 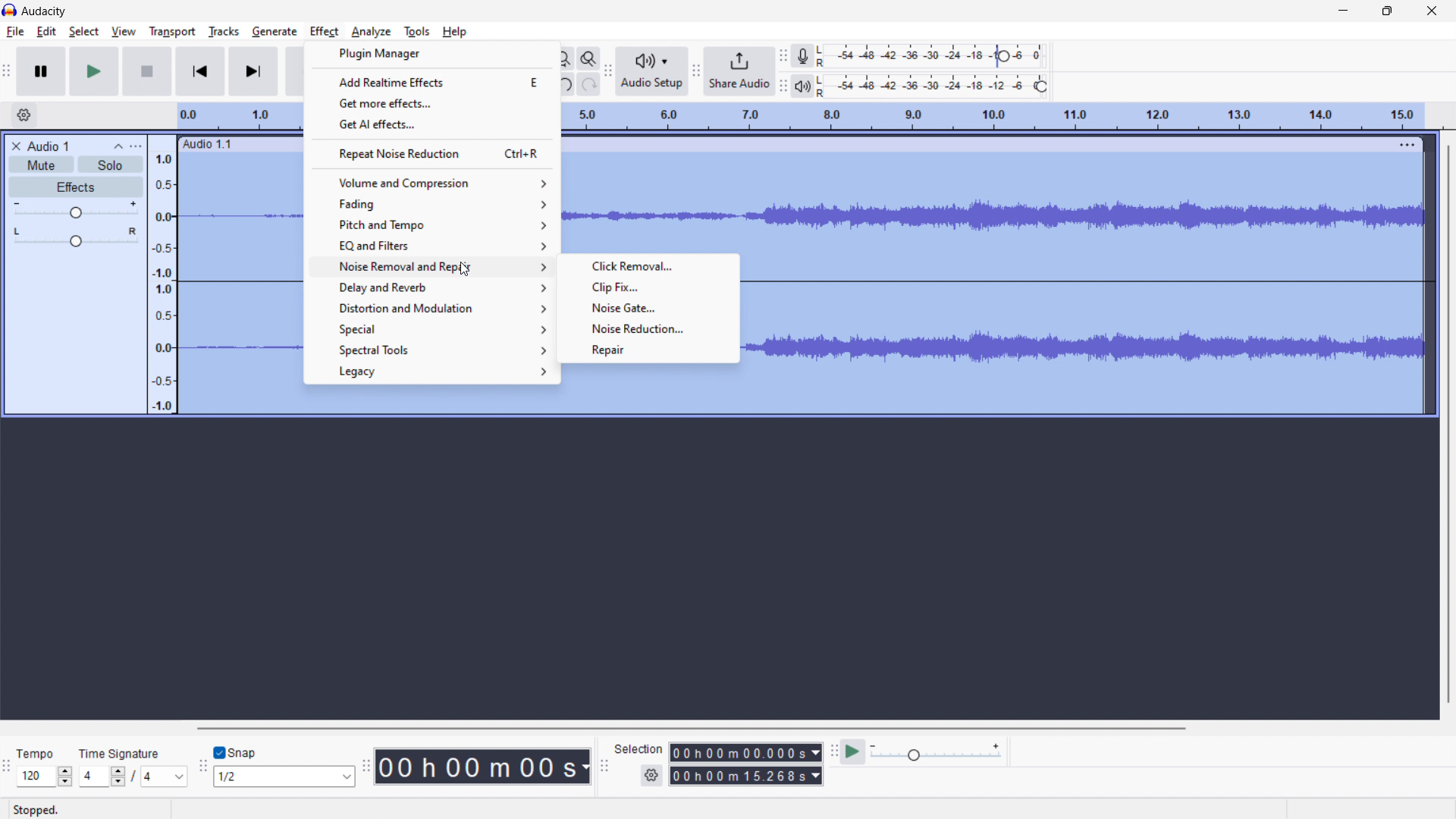 What do you see at coordinates (428, 287) in the screenshot?
I see `delay and reverb` at bounding box center [428, 287].